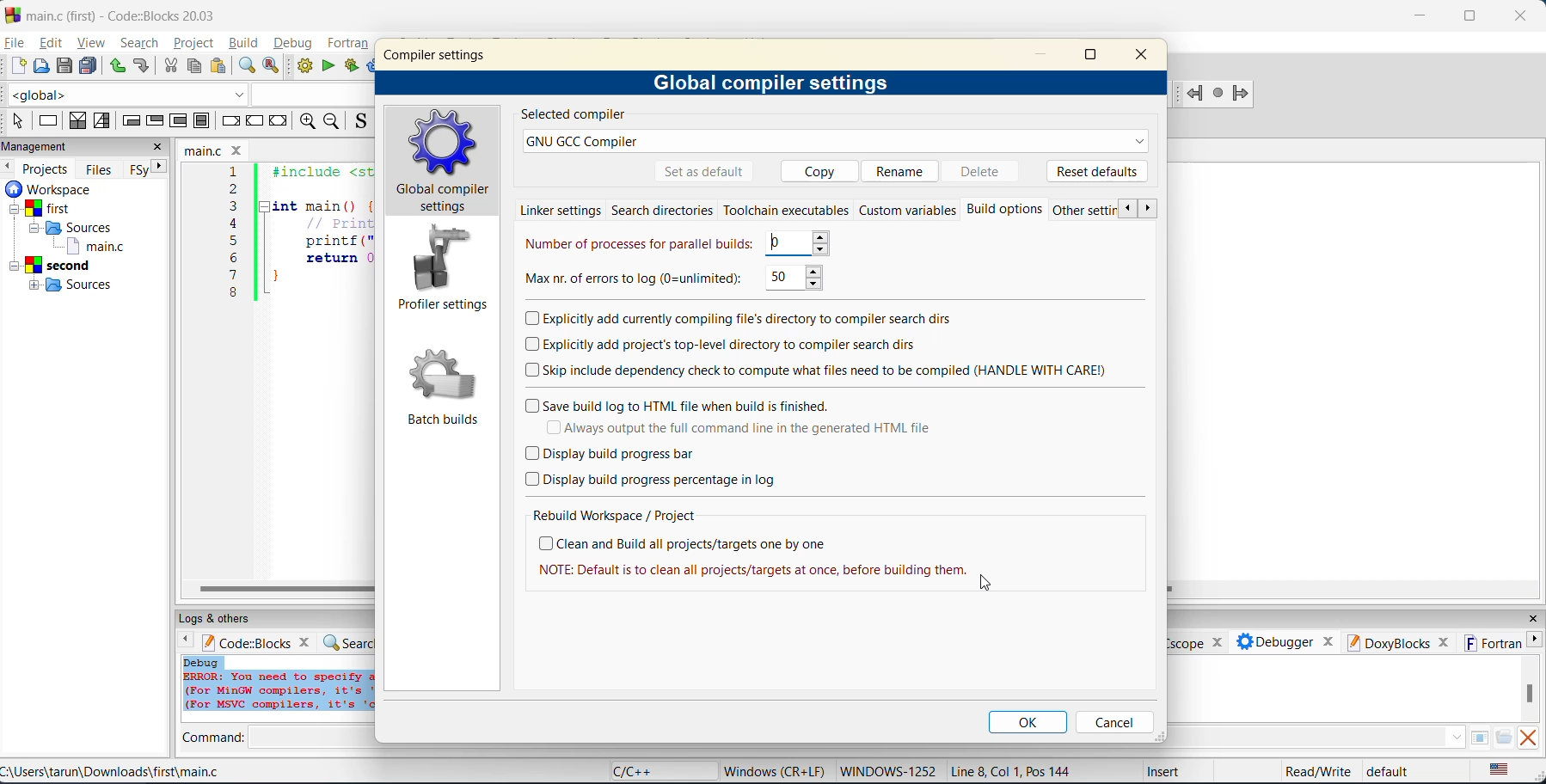  Describe the element at coordinates (1015, 770) in the screenshot. I see `Line 8, Col 1, Pos 144` at that location.